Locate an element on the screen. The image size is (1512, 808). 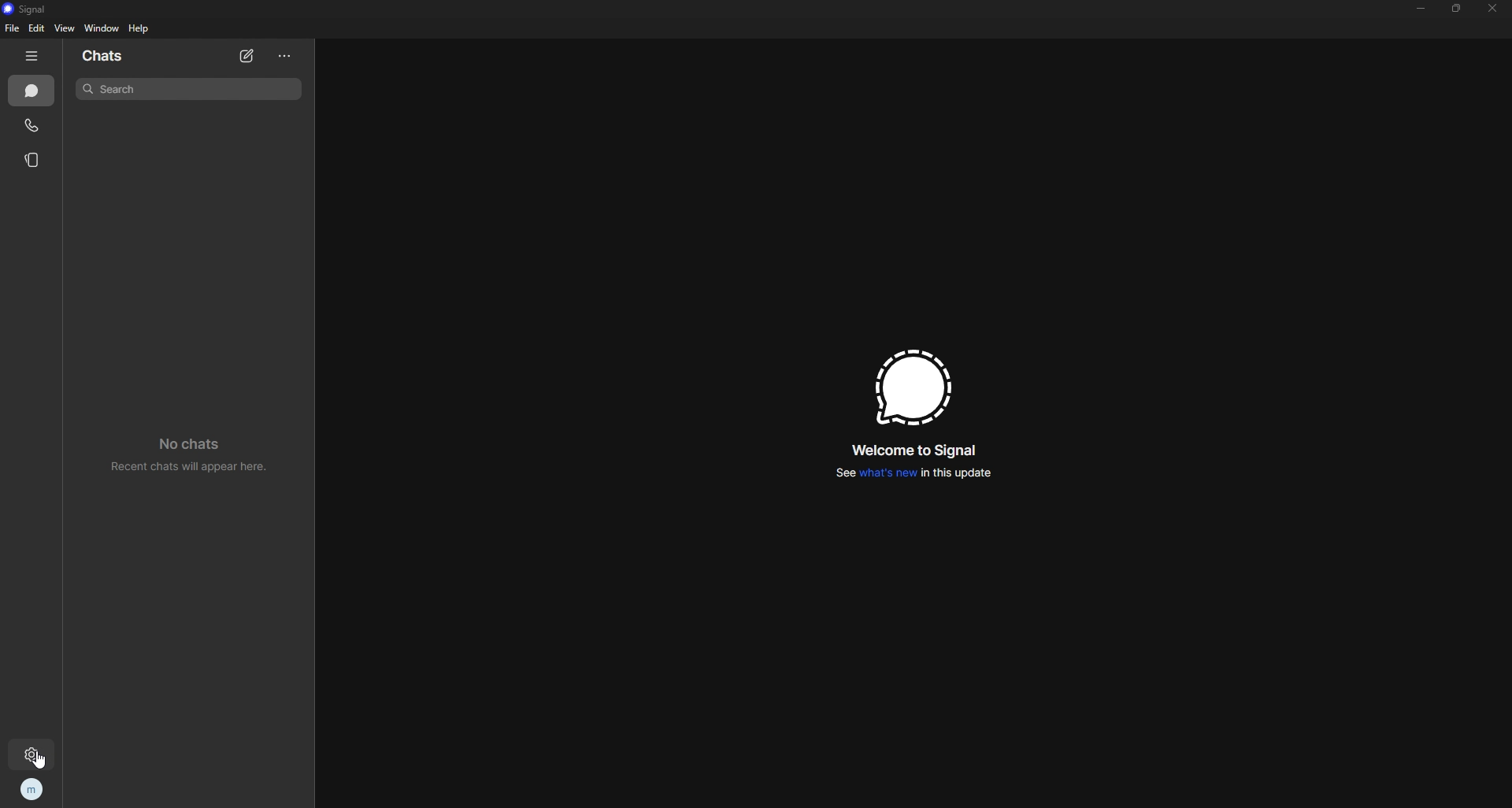
file is located at coordinates (13, 28).